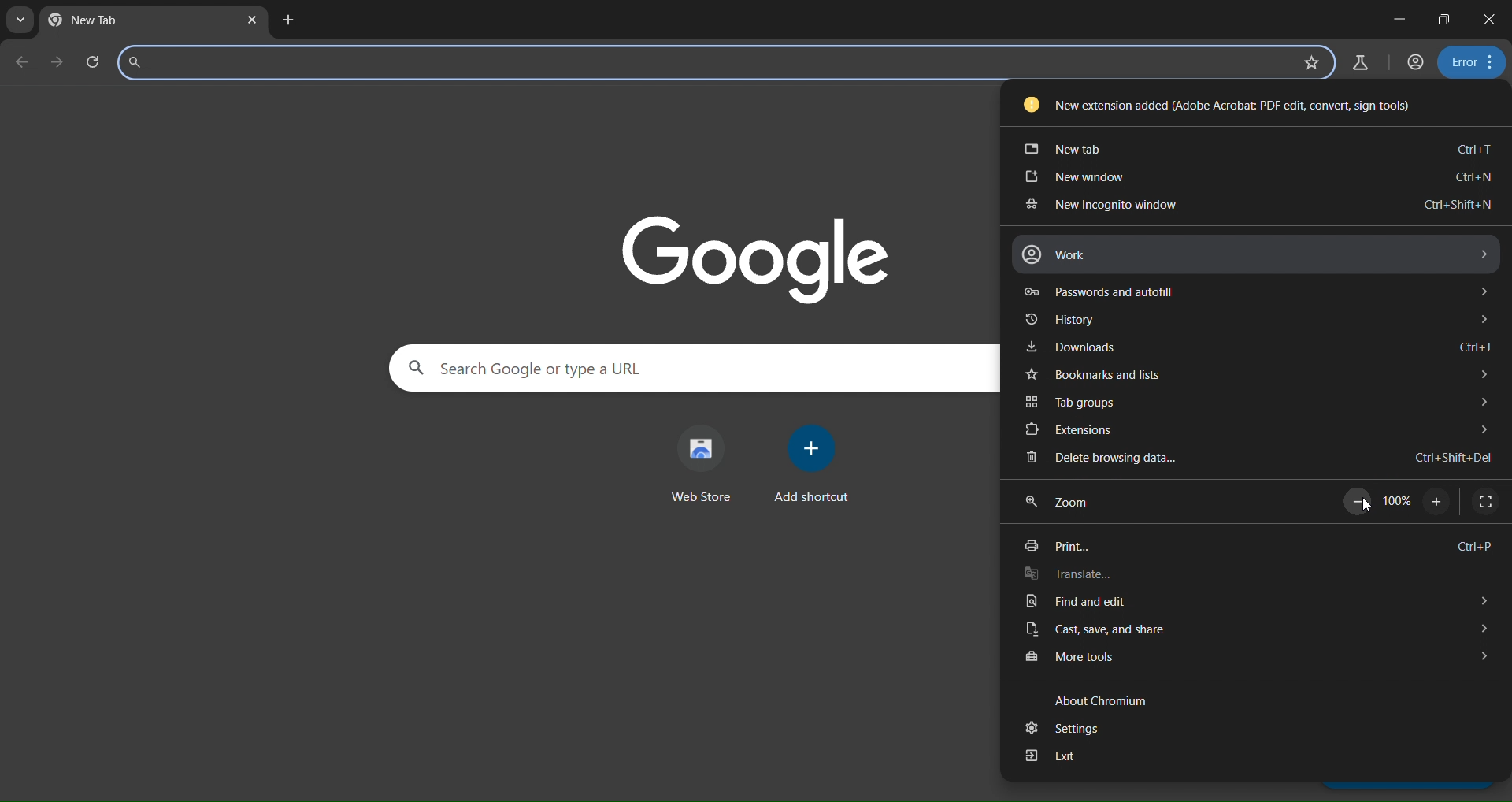  What do you see at coordinates (1261, 544) in the screenshot?
I see `print` at bounding box center [1261, 544].